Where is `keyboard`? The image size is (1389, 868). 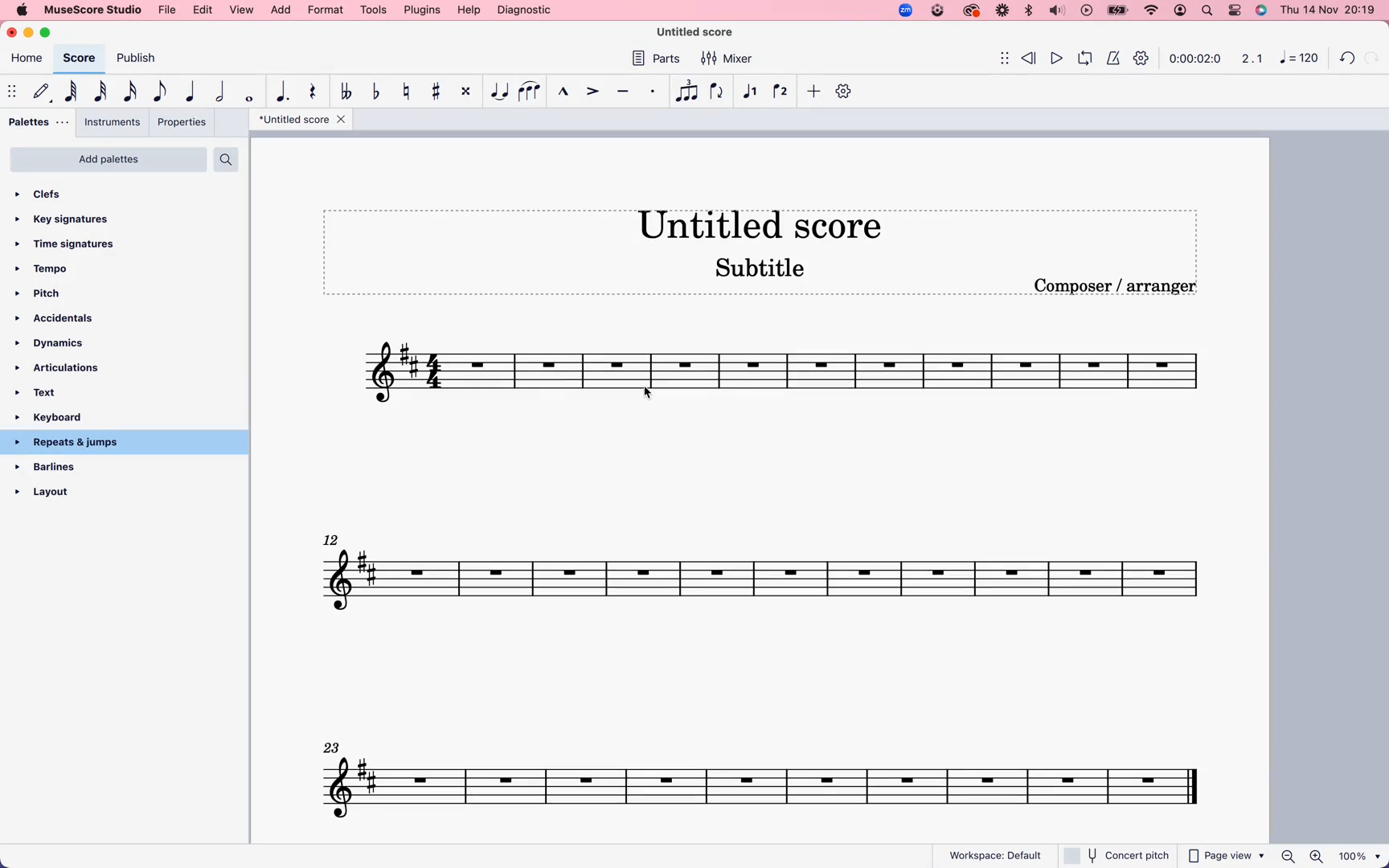 keyboard is located at coordinates (66, 417).